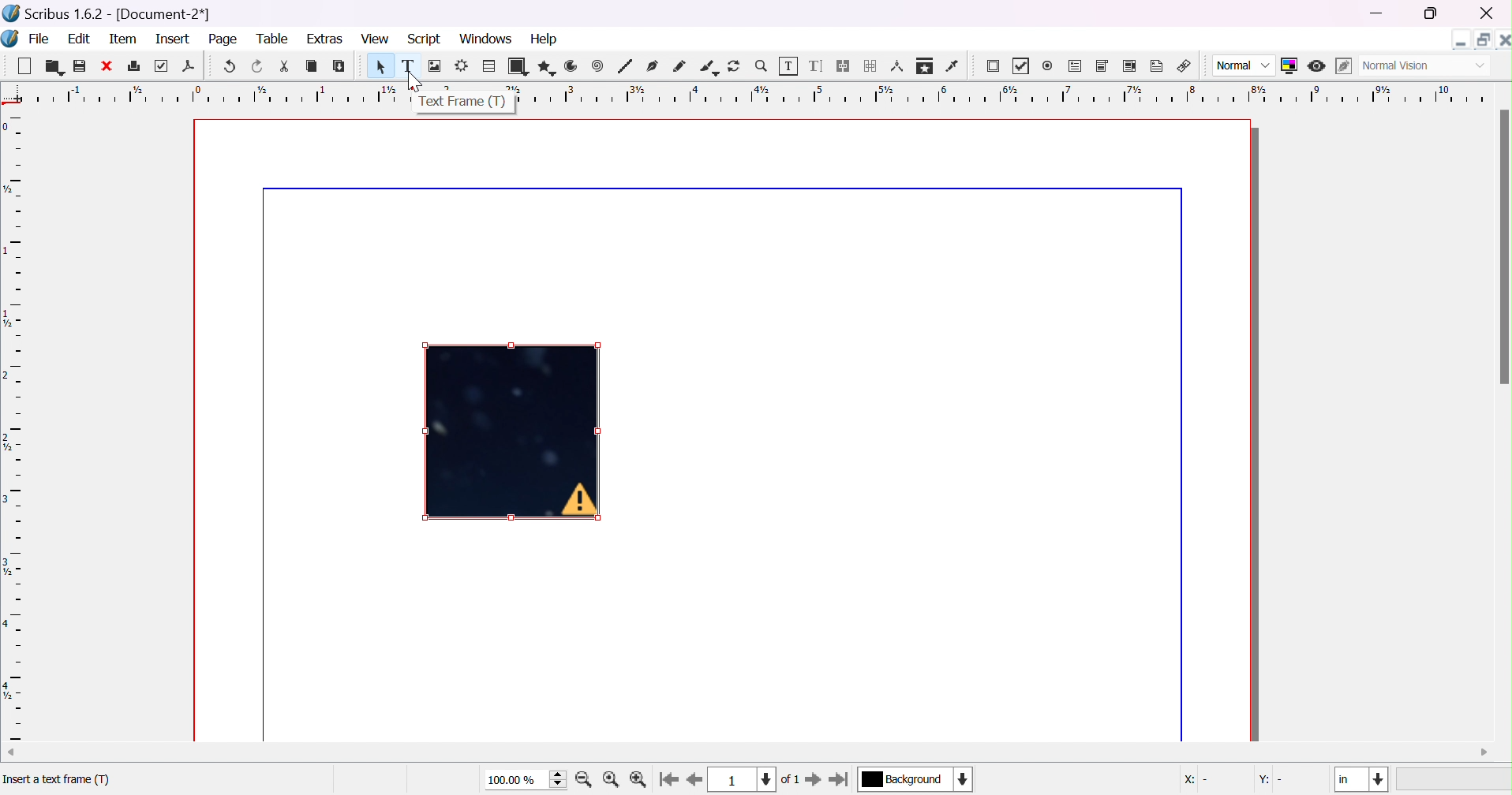 This screenshot has height=795, width=1512. What do you see at coordinates (275, 39) in the screenshot?
I see `table` at bounding box center [275, 39].